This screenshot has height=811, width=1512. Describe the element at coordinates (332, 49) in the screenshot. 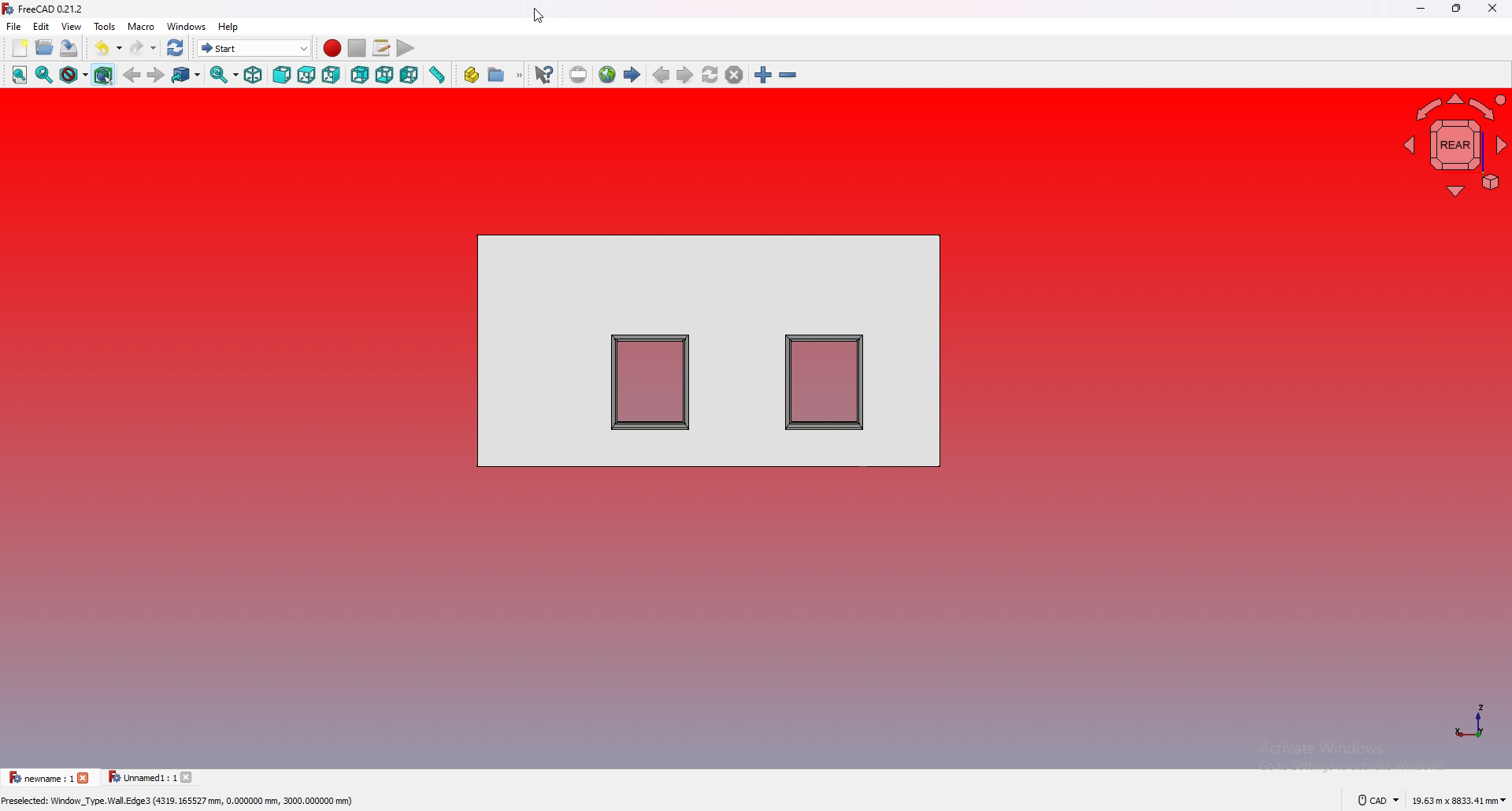

I see `record macro` at that location.